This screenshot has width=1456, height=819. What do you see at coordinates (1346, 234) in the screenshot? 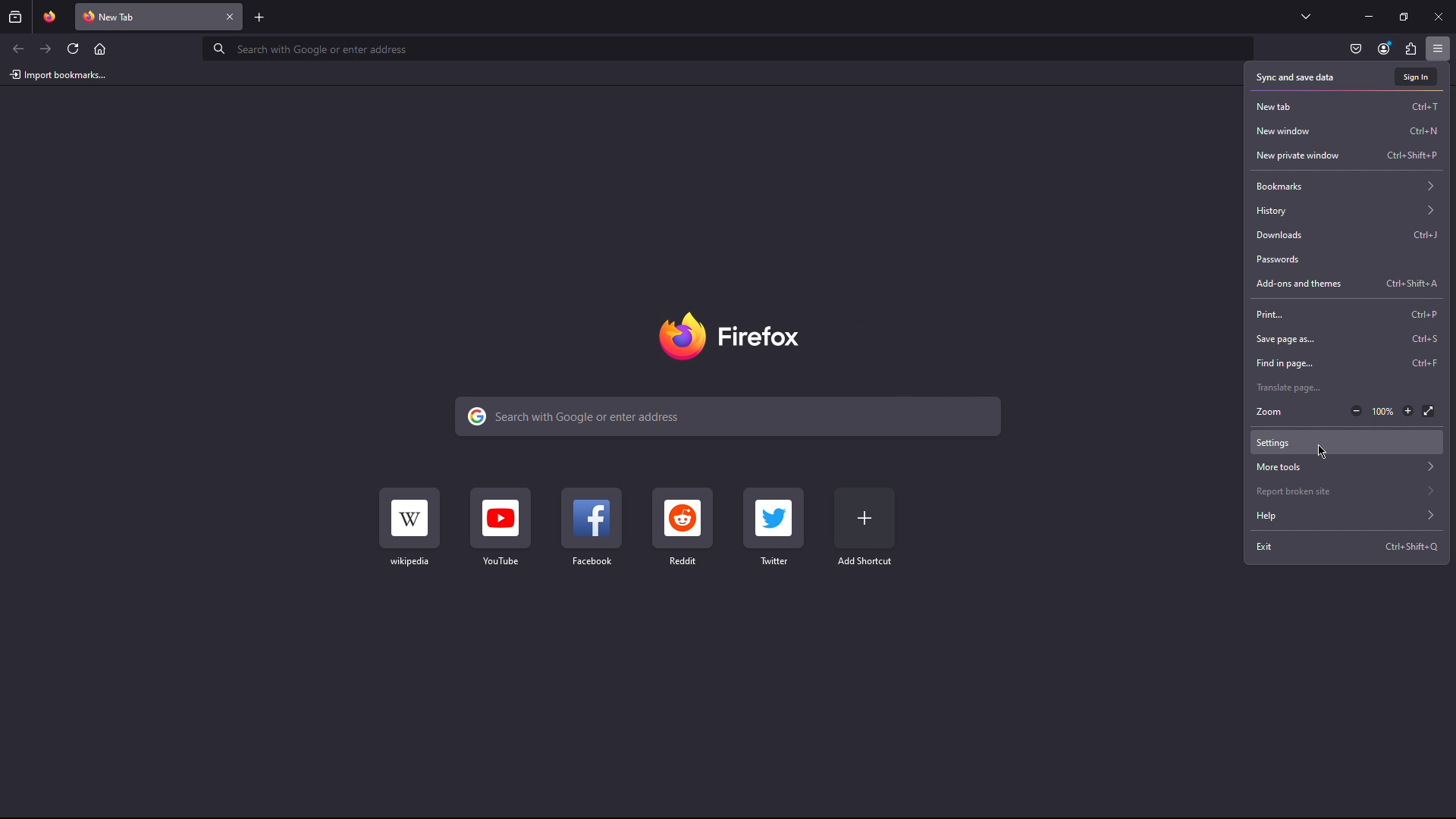
I see `Downloads` at bounding box center [1346, 234].